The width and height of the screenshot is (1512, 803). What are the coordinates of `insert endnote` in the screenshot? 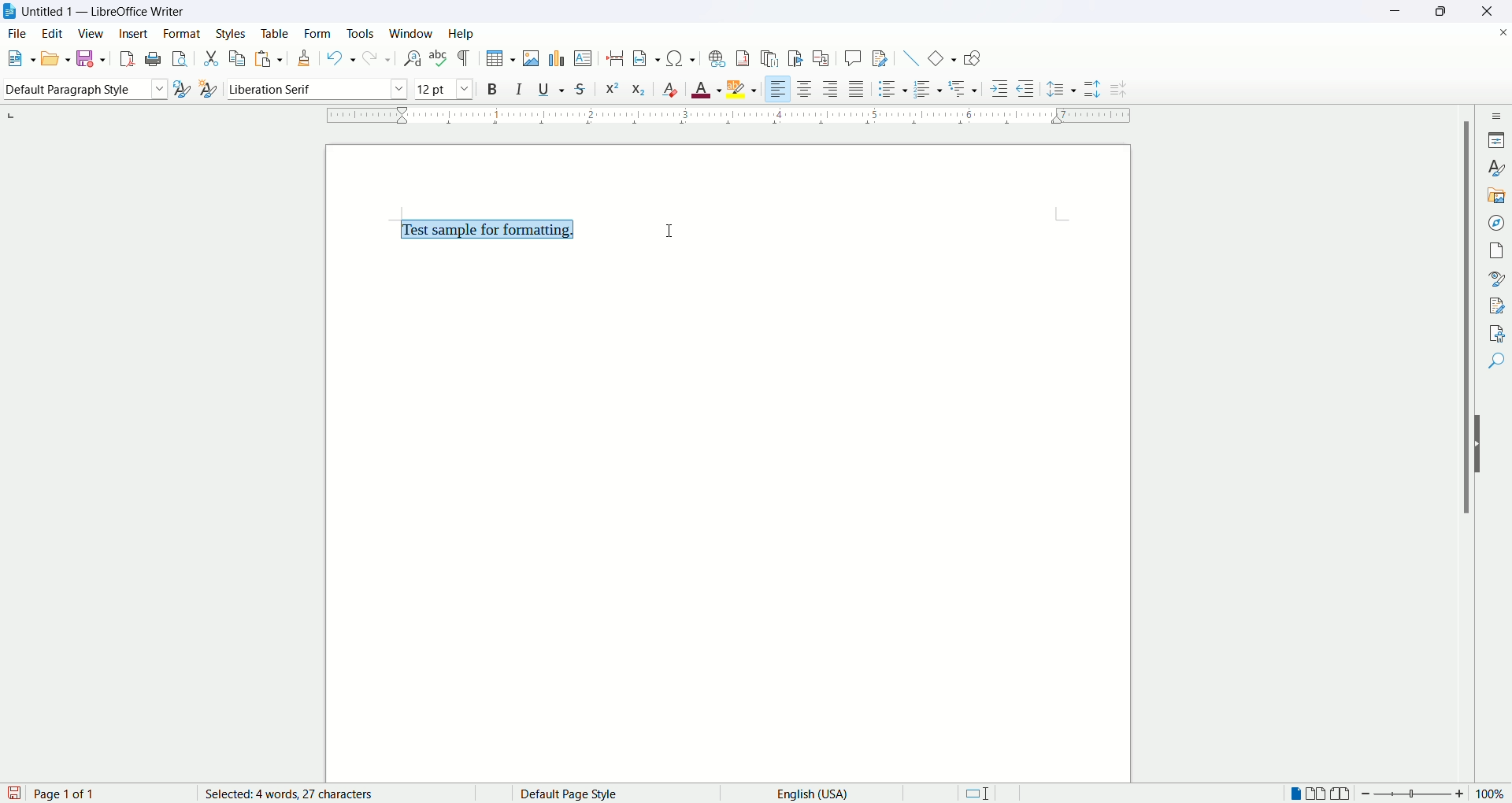 It's located at (768, 58).